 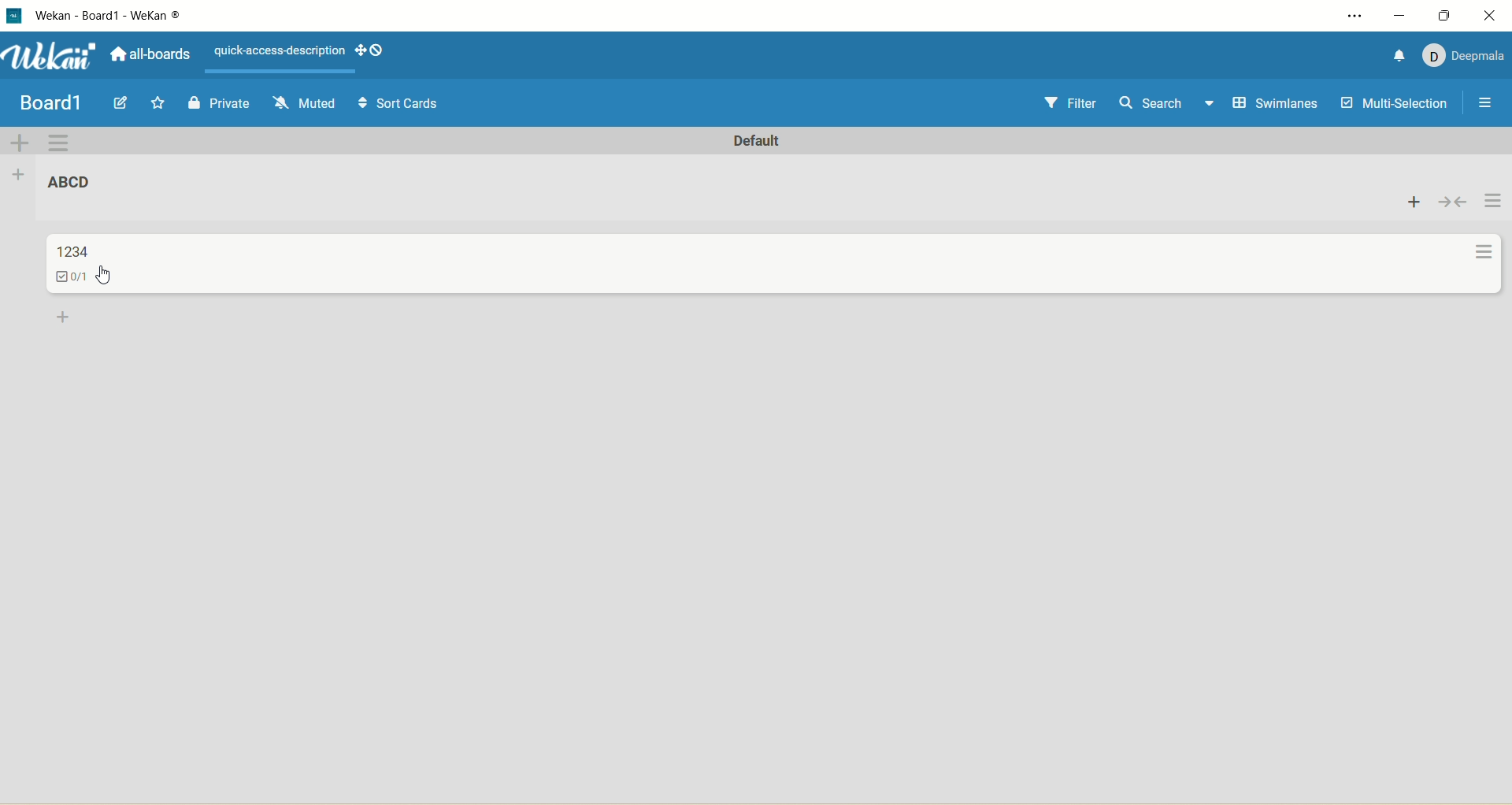 What do you see at coordinates (369, 50) in the screenshot?
I see `show-desktop-drag-handles` at bounding box center [369, 50].